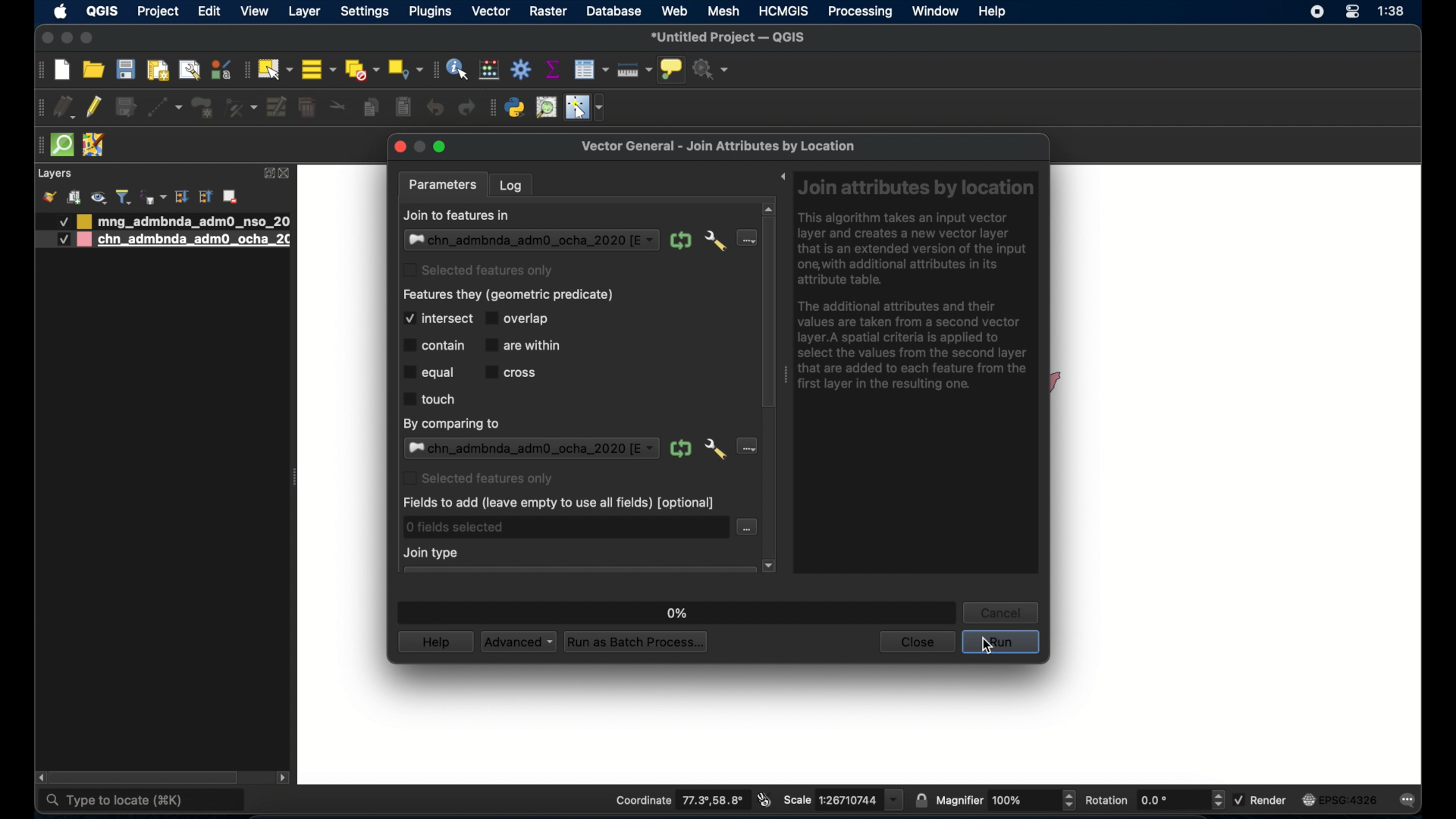 The height and width of the screenshot is (819, 1456). I want to click on scroll right arrow, so click(287, 777).